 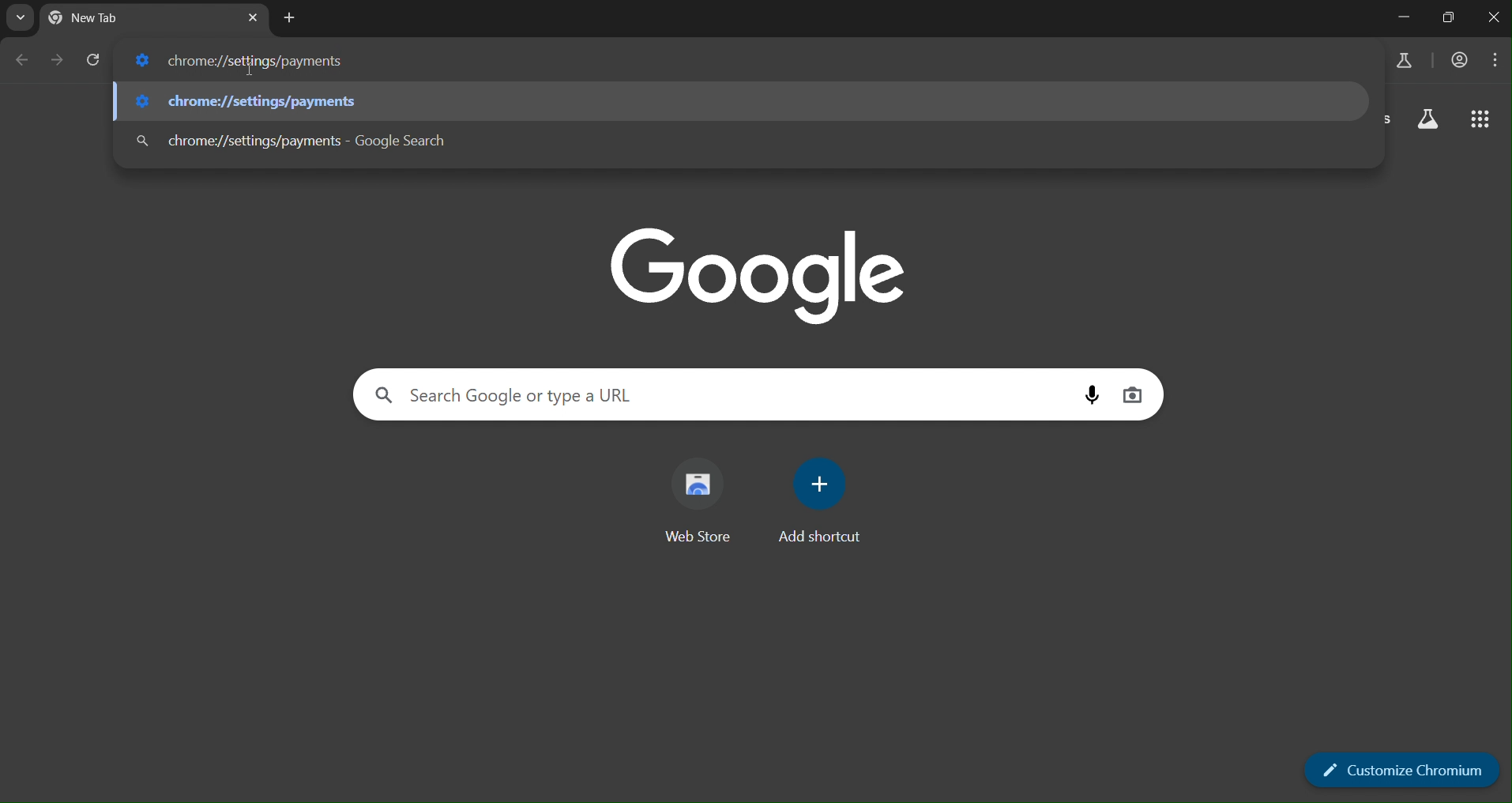 What do you see at coordinates (761, 273) in the screenshot?
I see `google` at bounding box center [761, 273].